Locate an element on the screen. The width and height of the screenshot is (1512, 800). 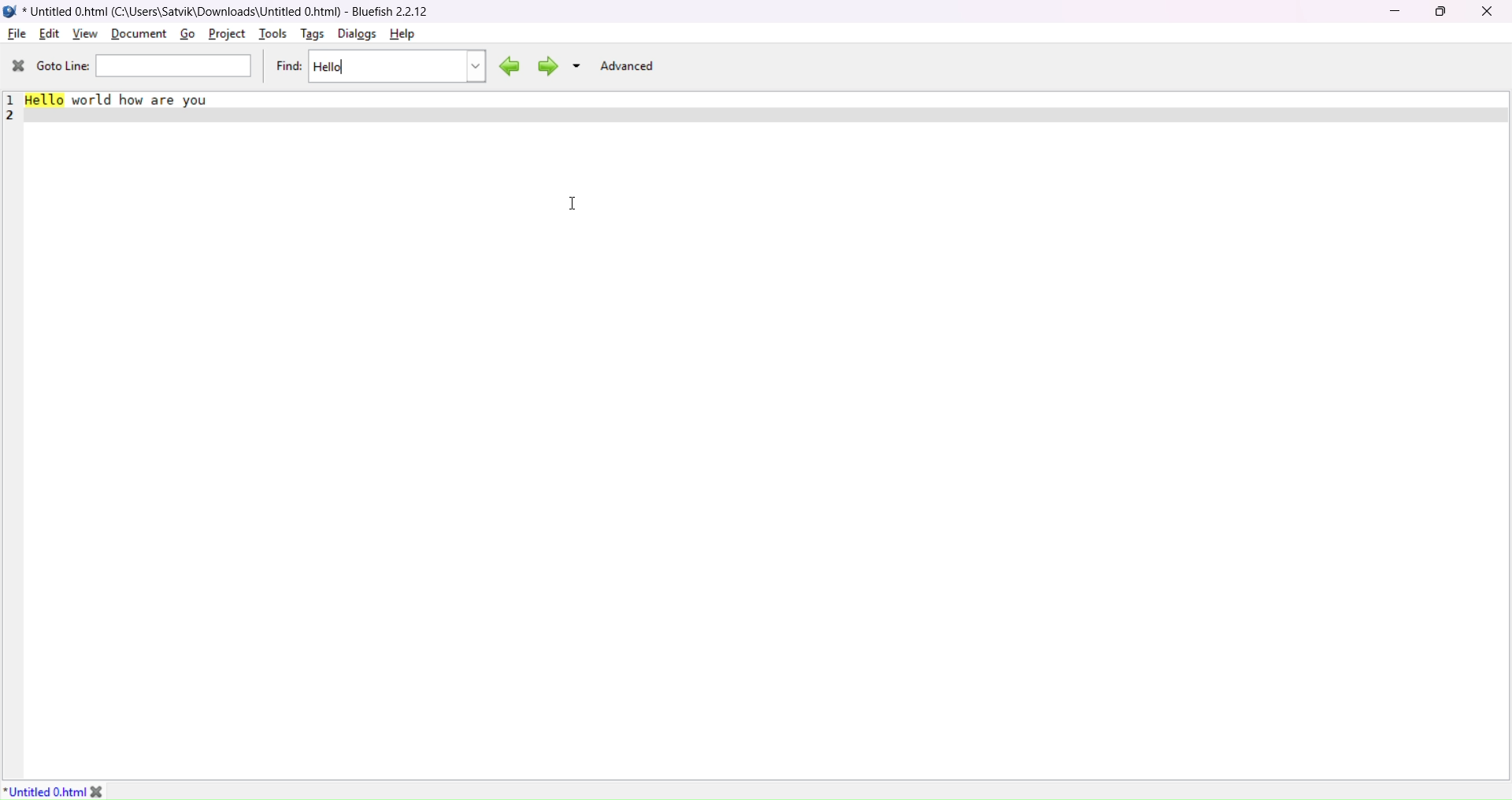
* Untitled 0.html (C:\Users\Satvik\Downloads\Untitled 0.html) - Bluefish 2.2.12 is located at coordinates (232, 9).